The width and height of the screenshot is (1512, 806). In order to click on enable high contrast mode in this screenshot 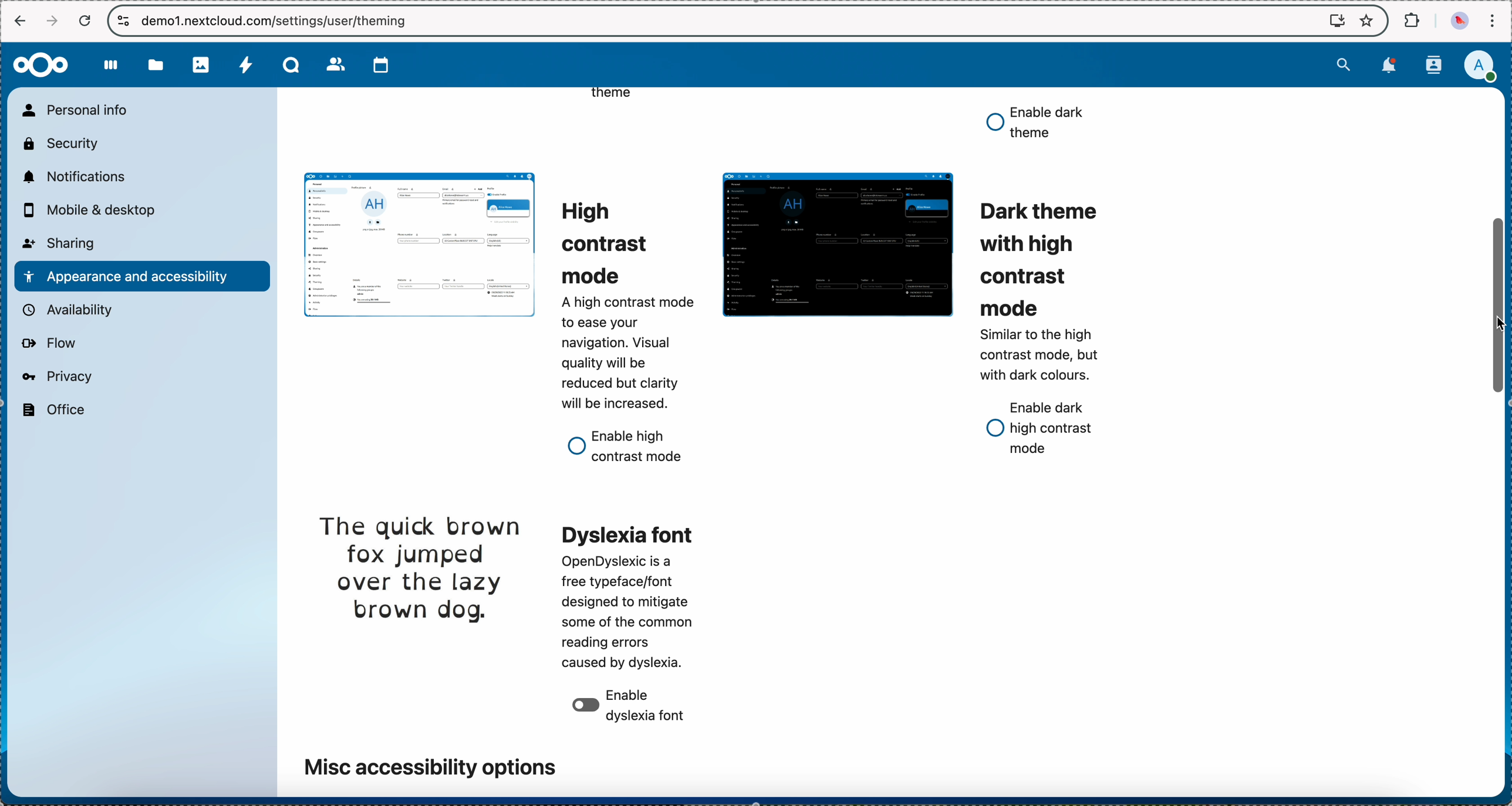, I will do `click(629, 446)`.